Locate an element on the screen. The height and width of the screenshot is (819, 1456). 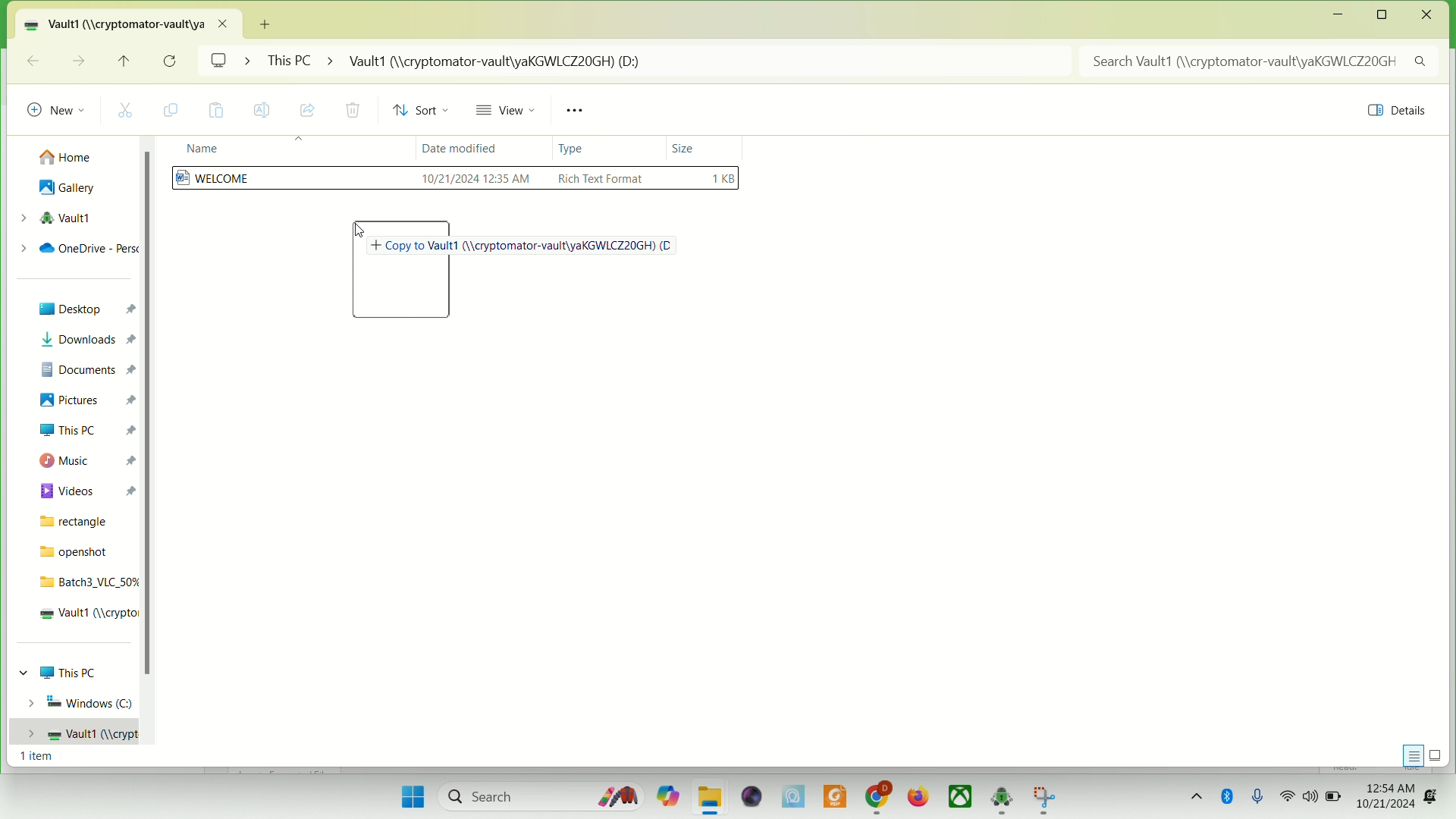
music is located at coordinates (84, 460).